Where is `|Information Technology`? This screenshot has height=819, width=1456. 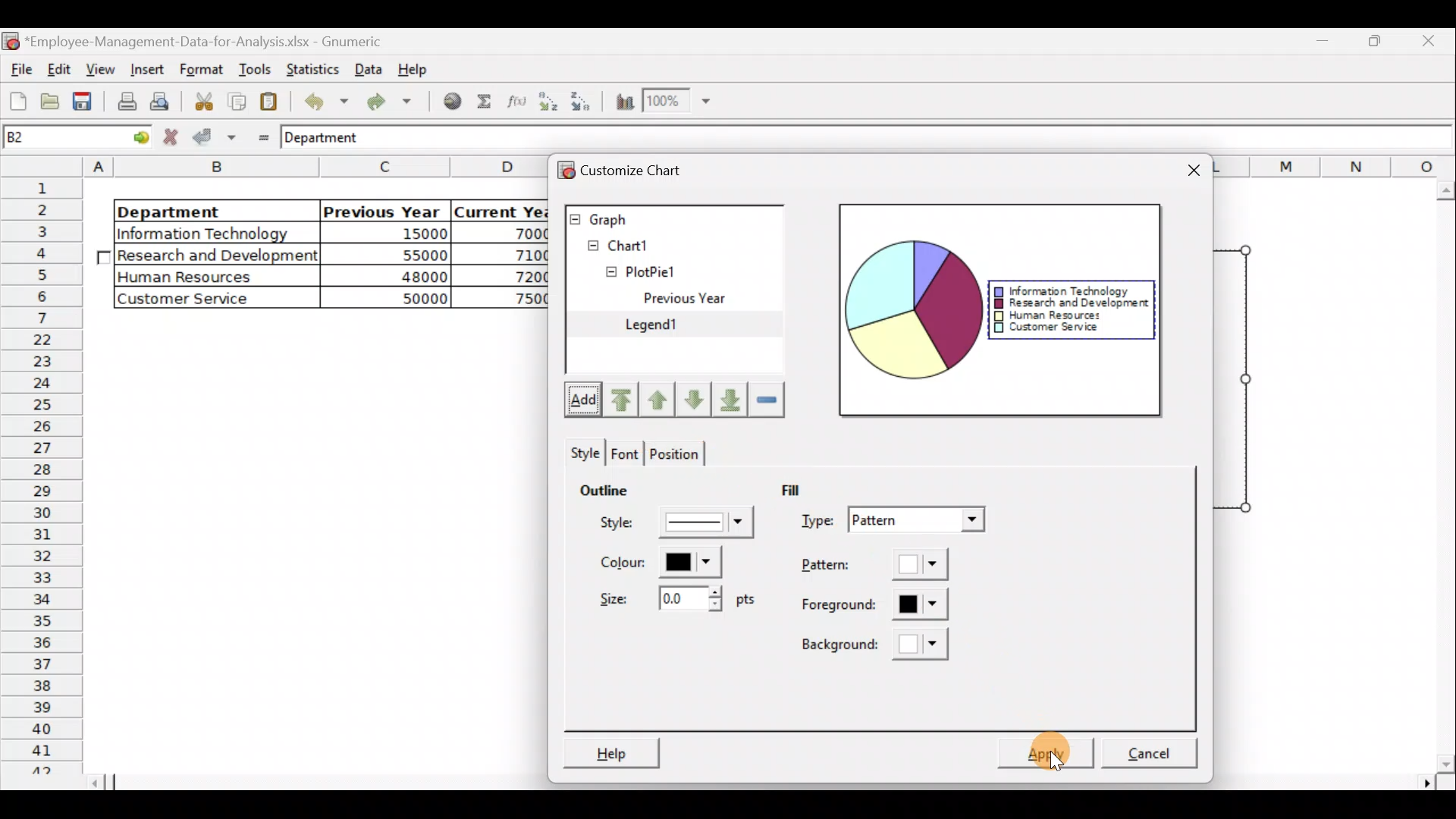
|Information Technology is located at coordinates (215, 233).